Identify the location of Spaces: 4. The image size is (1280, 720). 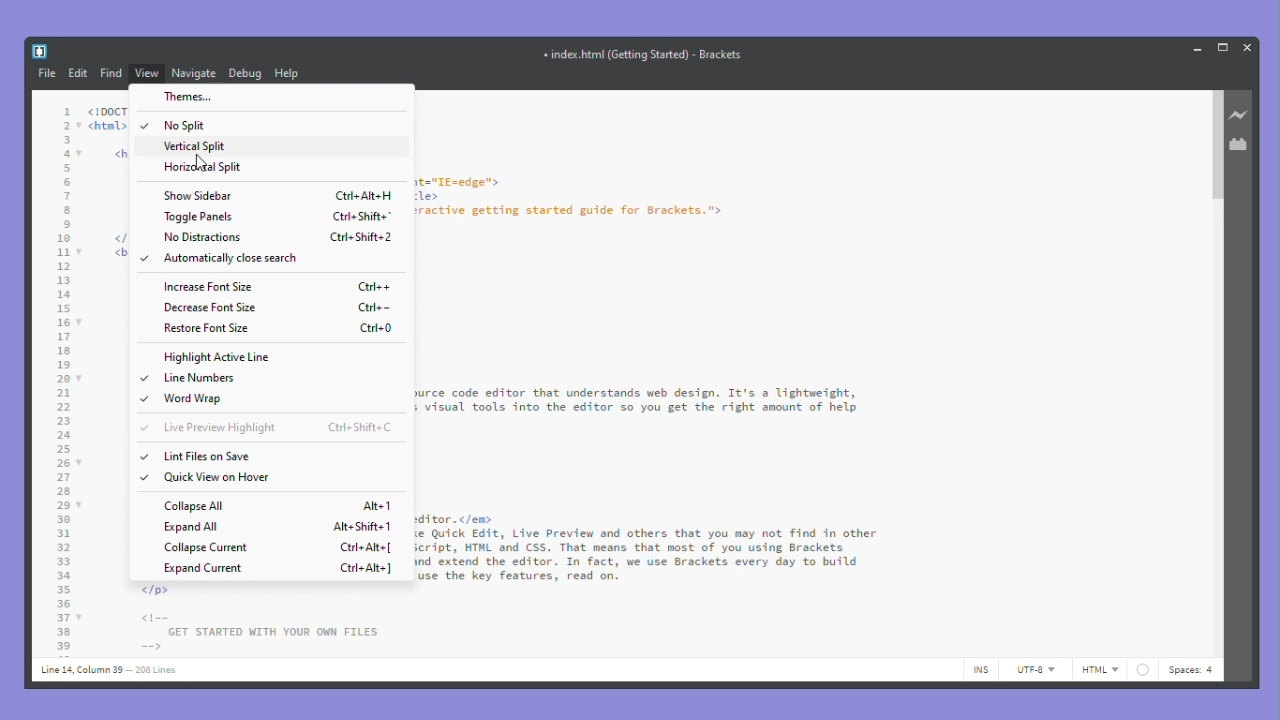
(1193, 669).